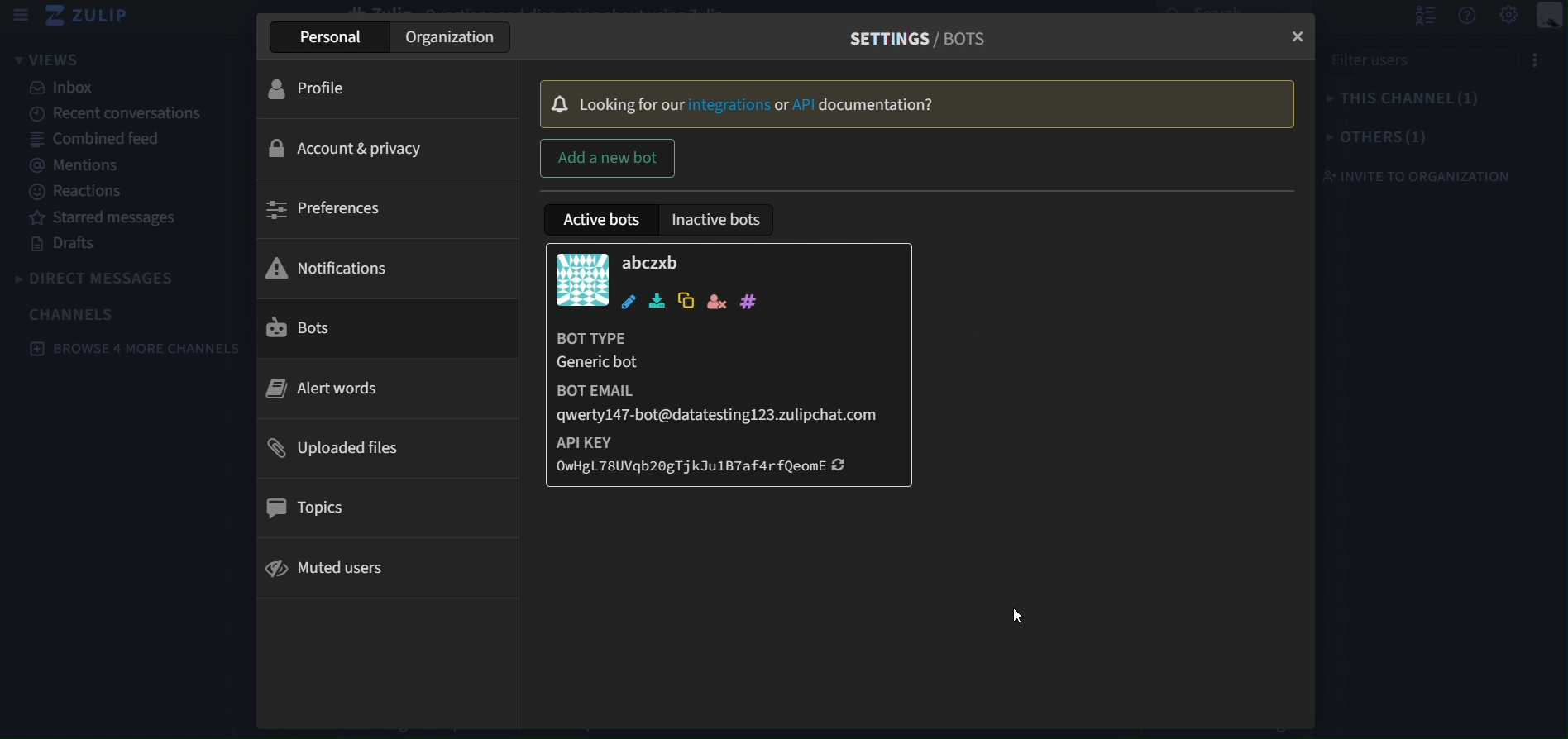 Image resolution: width=1568 pixels, height=739 pixels. What do you see at coordinates (604, 218) in the screenshot?
I see `active bots` at bounding box center [604, 218].